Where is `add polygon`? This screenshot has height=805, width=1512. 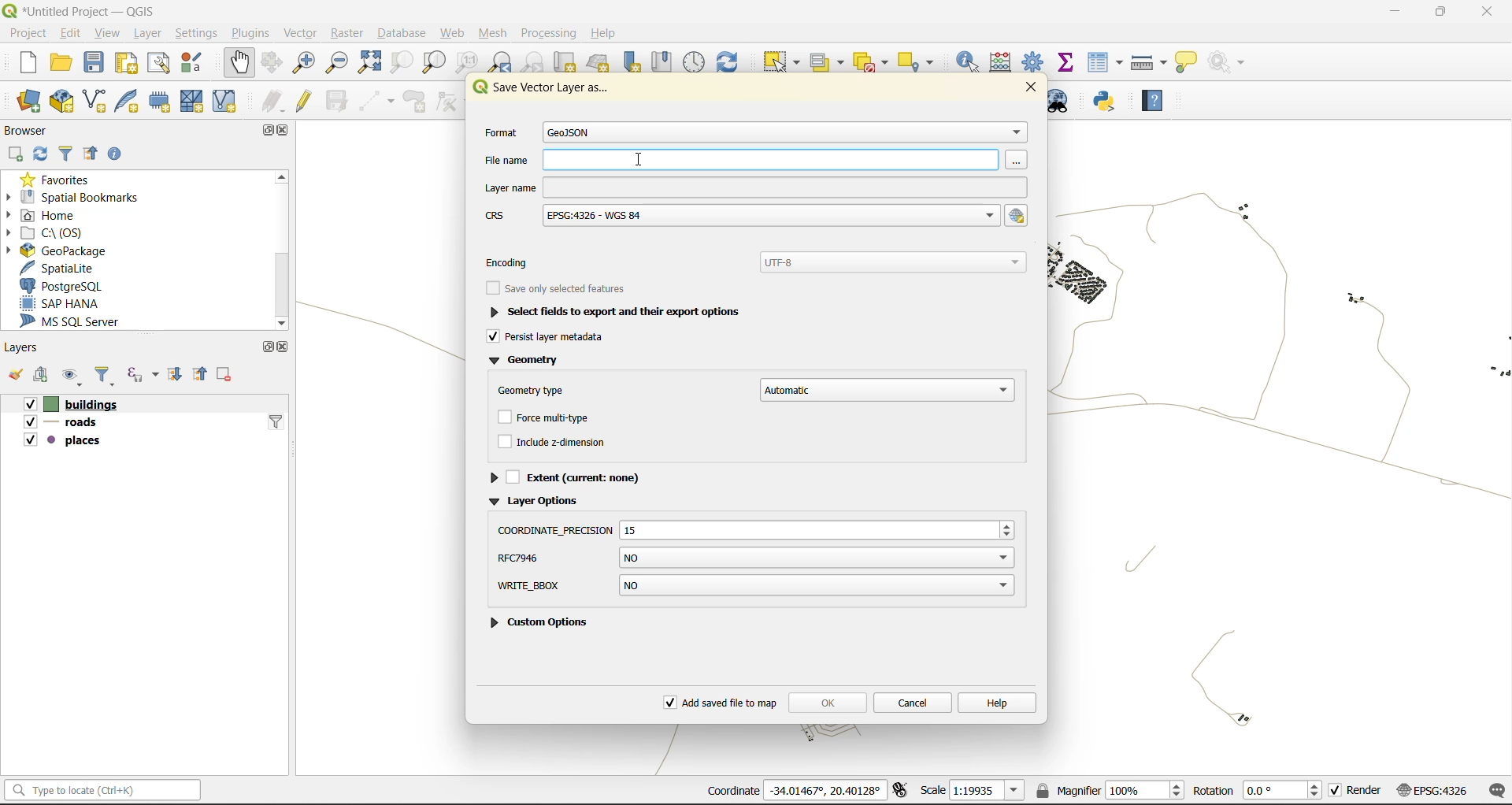 add polygon is located at coordinates (417, 102).